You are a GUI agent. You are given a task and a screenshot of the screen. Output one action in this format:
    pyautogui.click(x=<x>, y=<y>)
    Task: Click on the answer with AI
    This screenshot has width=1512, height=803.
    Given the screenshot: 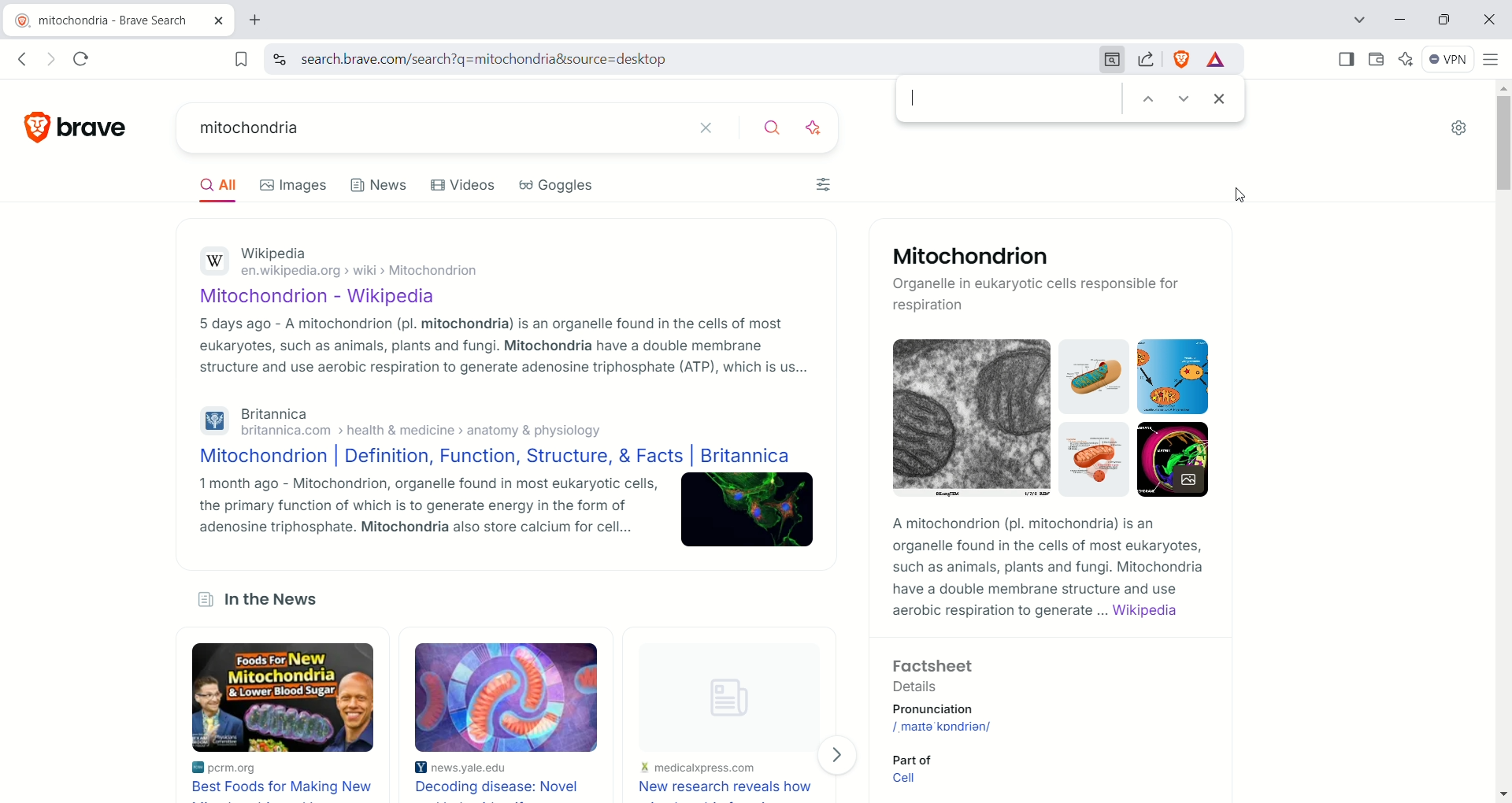 What is the action you would take?
    pyautogui.click(x=815, y=128)
    